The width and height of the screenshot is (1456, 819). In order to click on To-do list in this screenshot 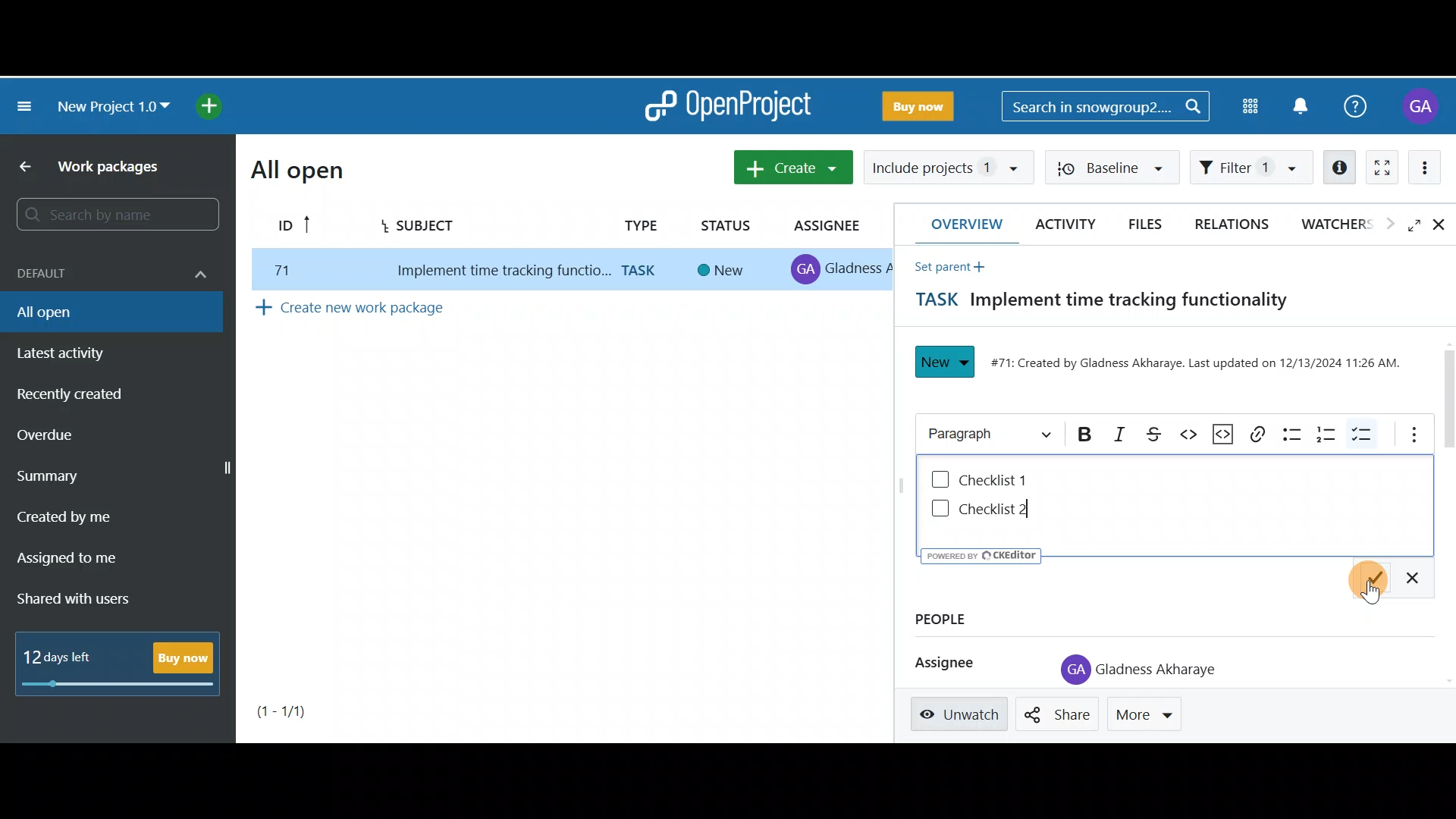, I will do `click(1366, 431)`.